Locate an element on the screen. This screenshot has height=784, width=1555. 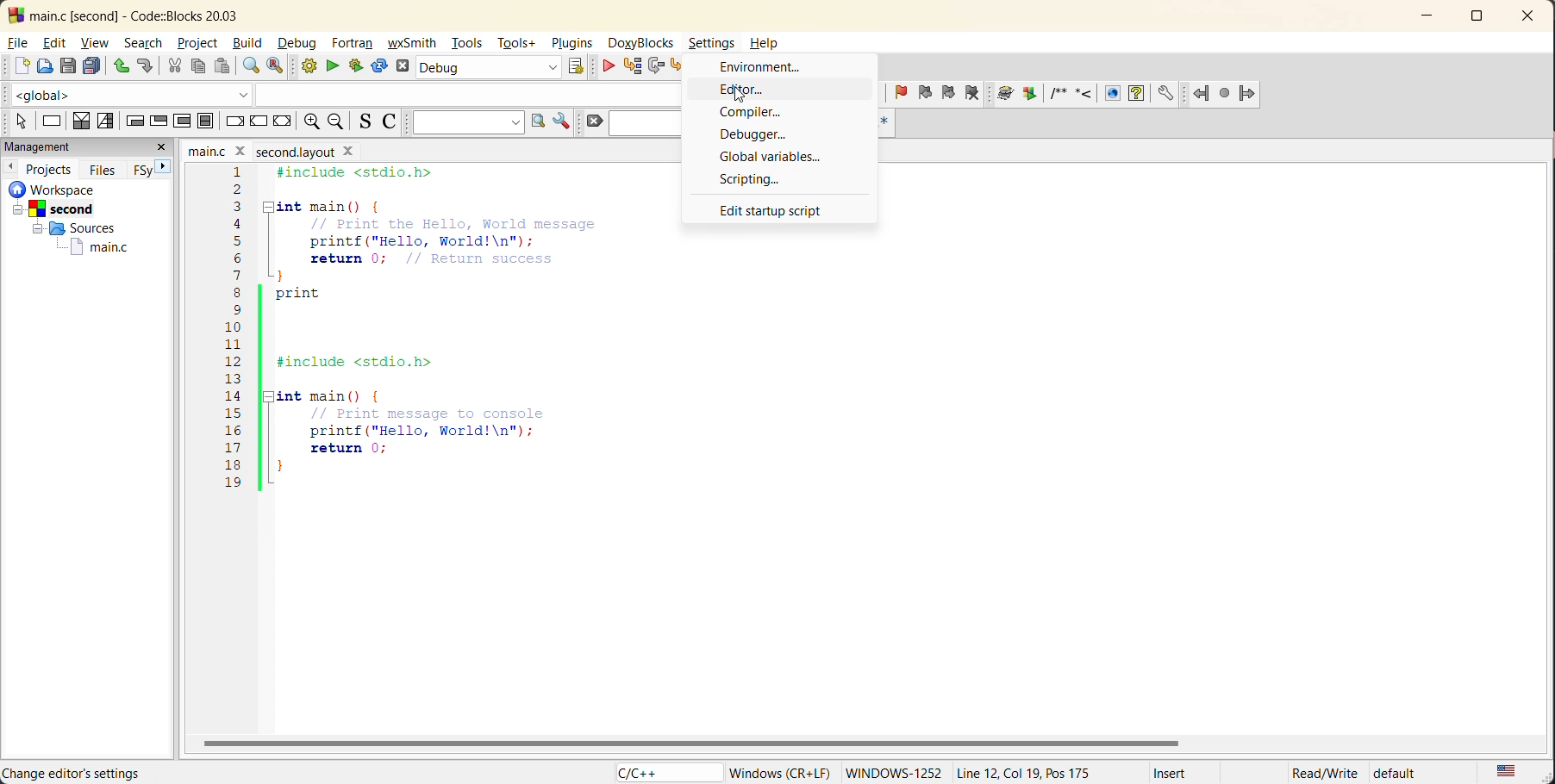
code completion compiler is located at coordinates (352, 94).